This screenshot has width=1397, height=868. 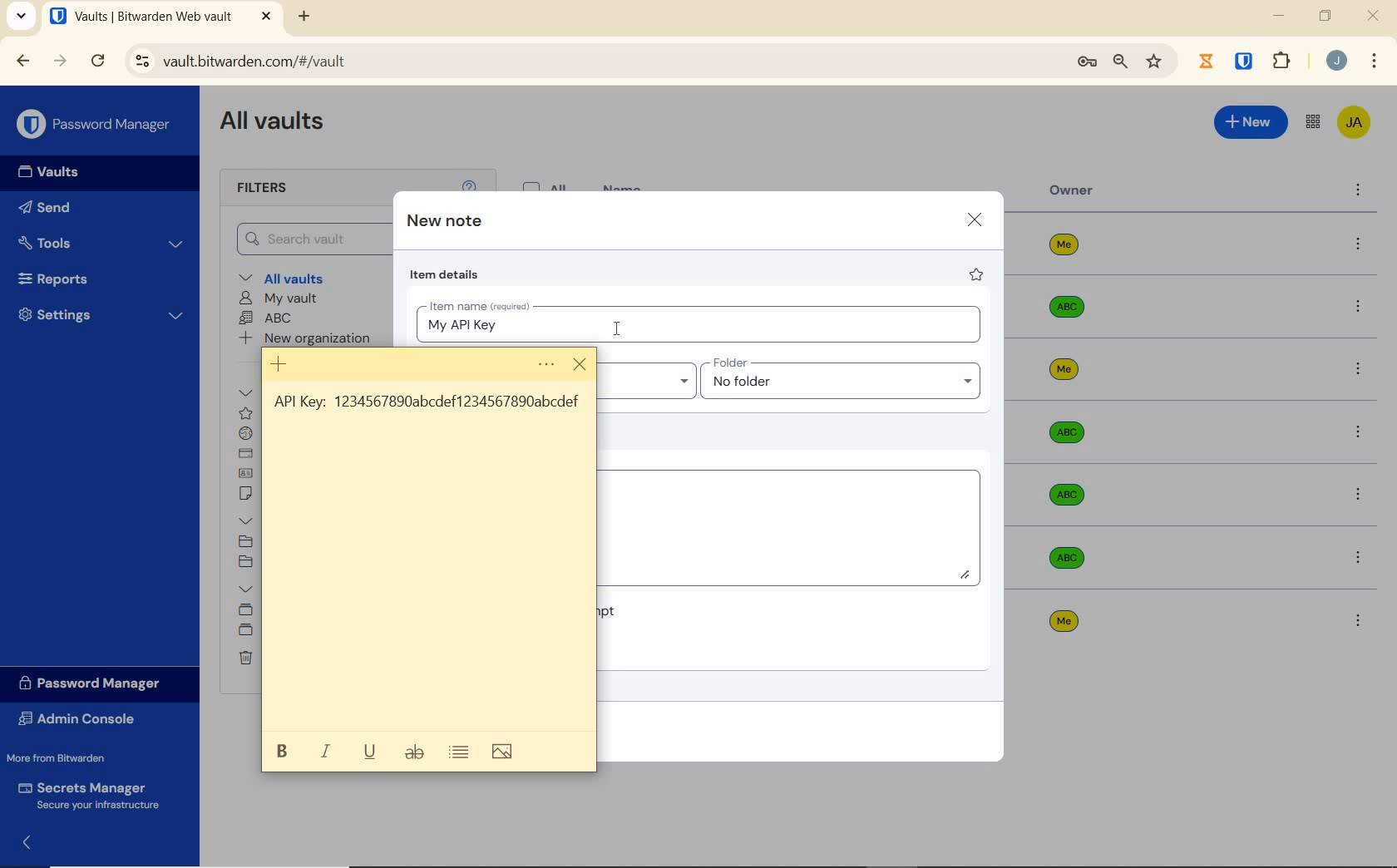 What do you see at coordinates (1072, 192) in the screenshot?
I see `owner` at bounding box center [1072, 192].